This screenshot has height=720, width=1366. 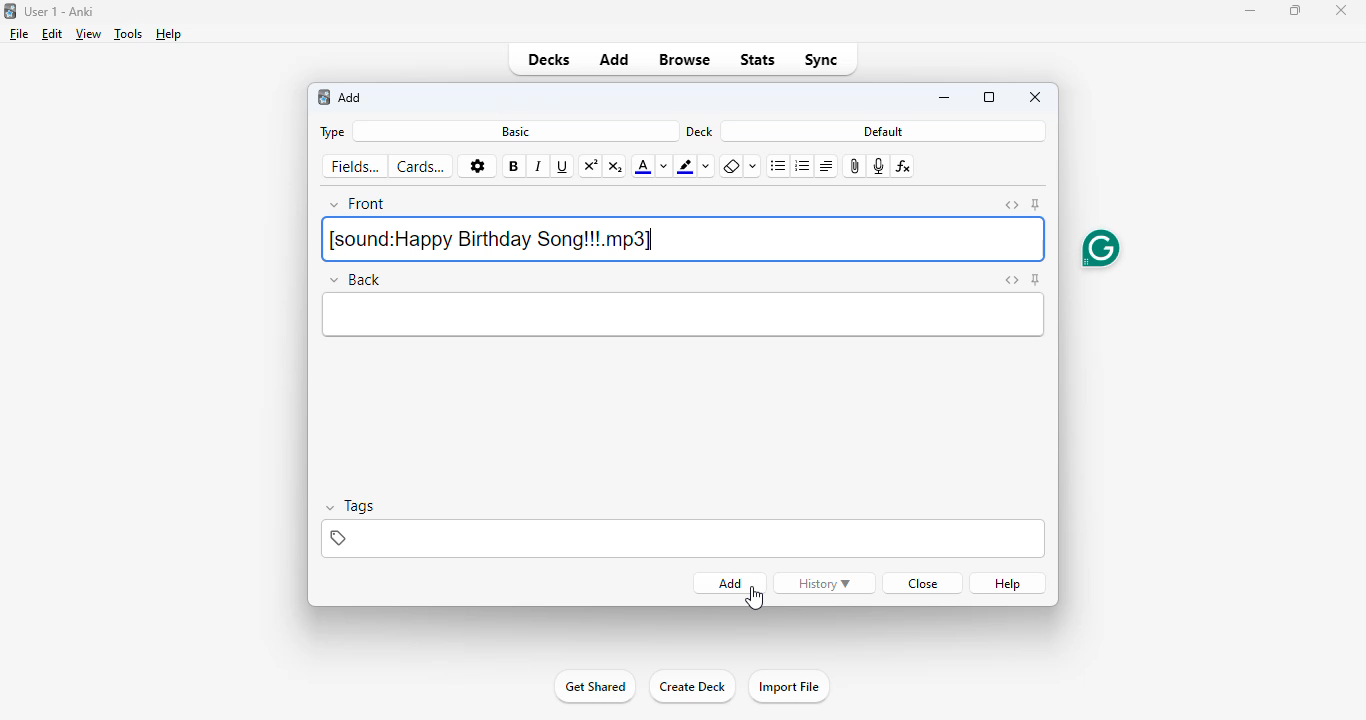 I want to click on text coloe, so click(x=643, y=166).